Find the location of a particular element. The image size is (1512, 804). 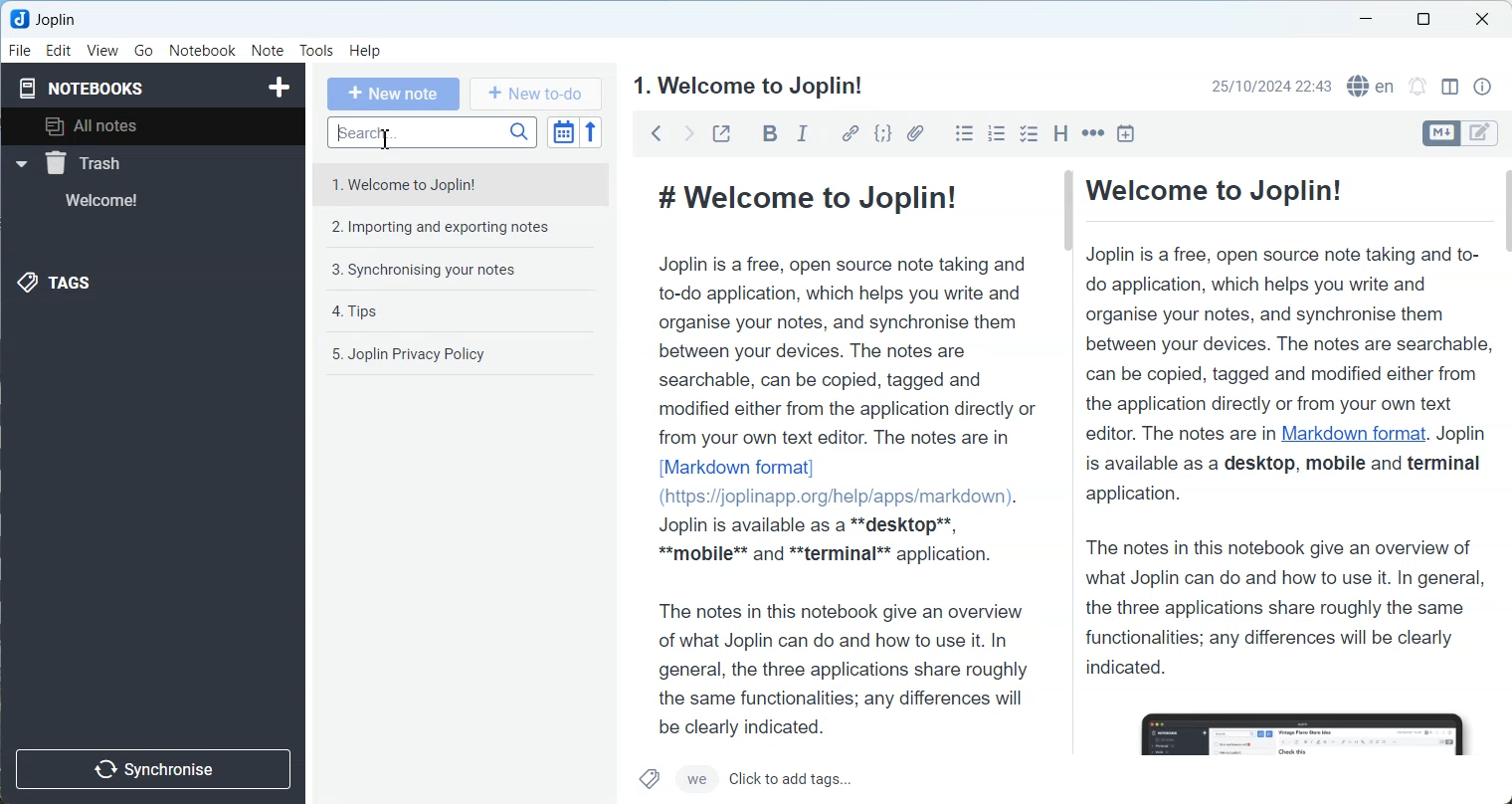

Italic is located at coordinates (805, 133).